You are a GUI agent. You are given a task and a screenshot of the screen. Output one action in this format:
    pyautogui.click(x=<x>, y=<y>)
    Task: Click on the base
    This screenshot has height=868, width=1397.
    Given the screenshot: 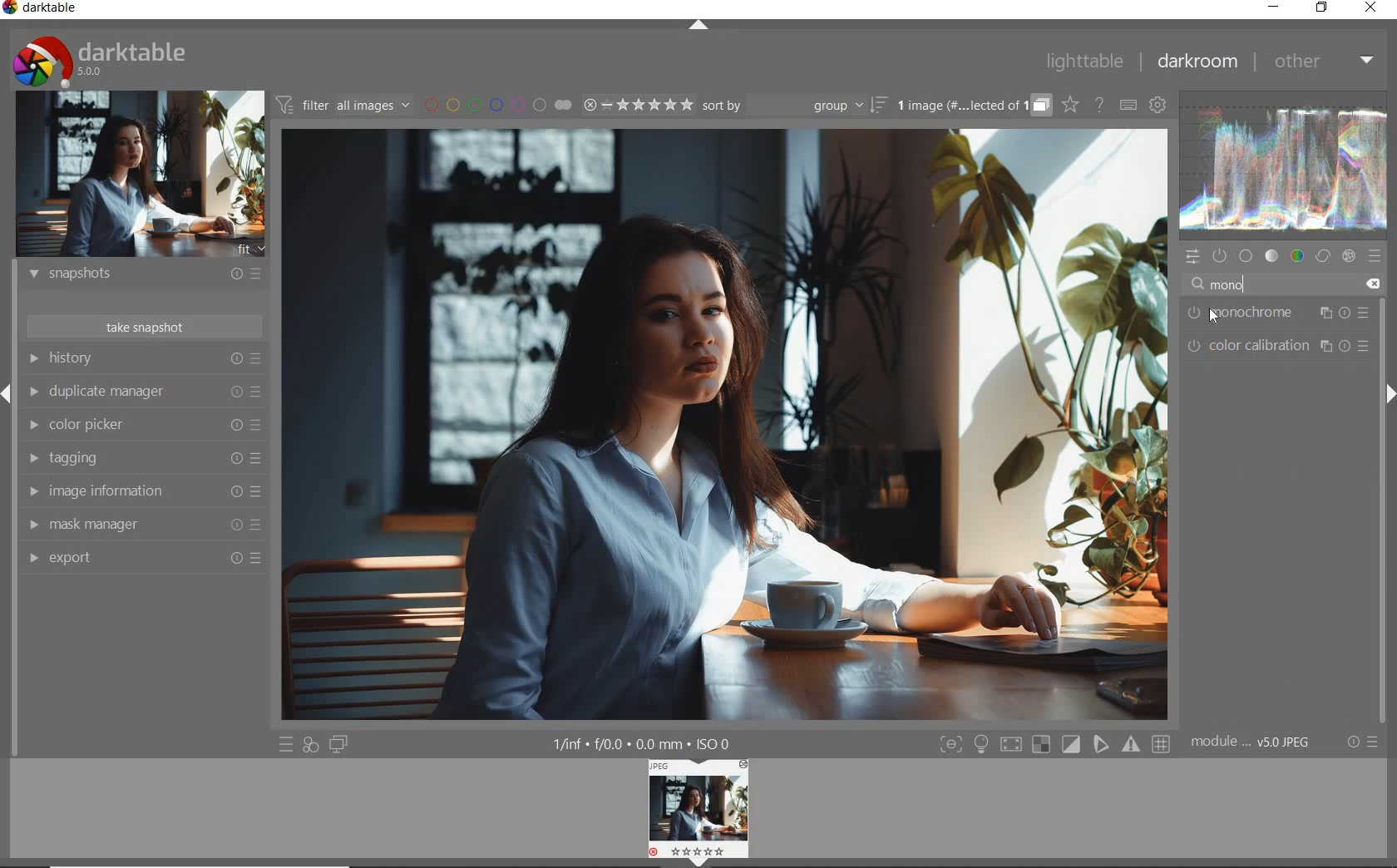 What is the action you would take?
    pyautogui.click(x=1246, y=256)
    